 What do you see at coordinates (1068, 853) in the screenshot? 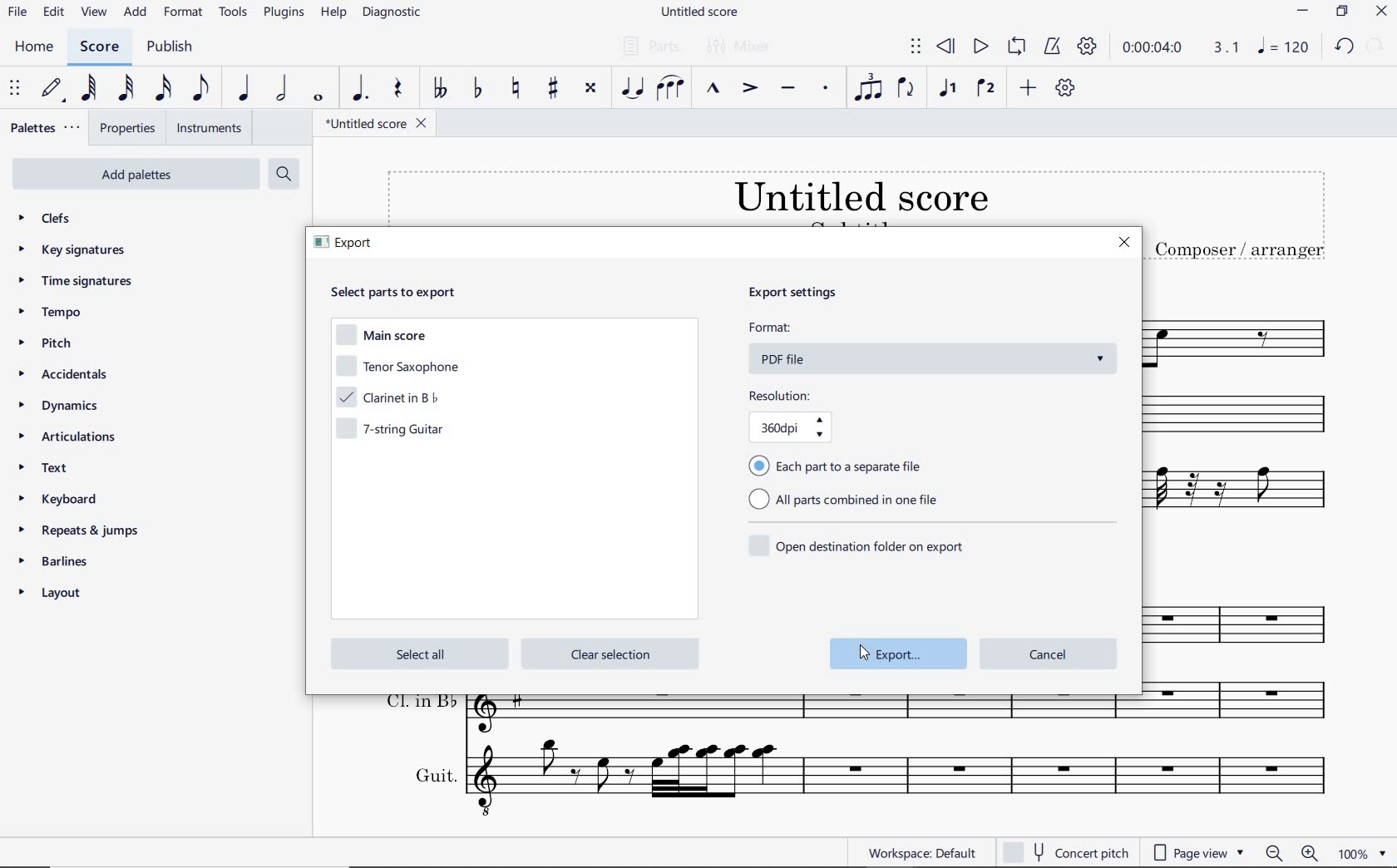
I see `concert pitch` at bounding box center [1068, 853].